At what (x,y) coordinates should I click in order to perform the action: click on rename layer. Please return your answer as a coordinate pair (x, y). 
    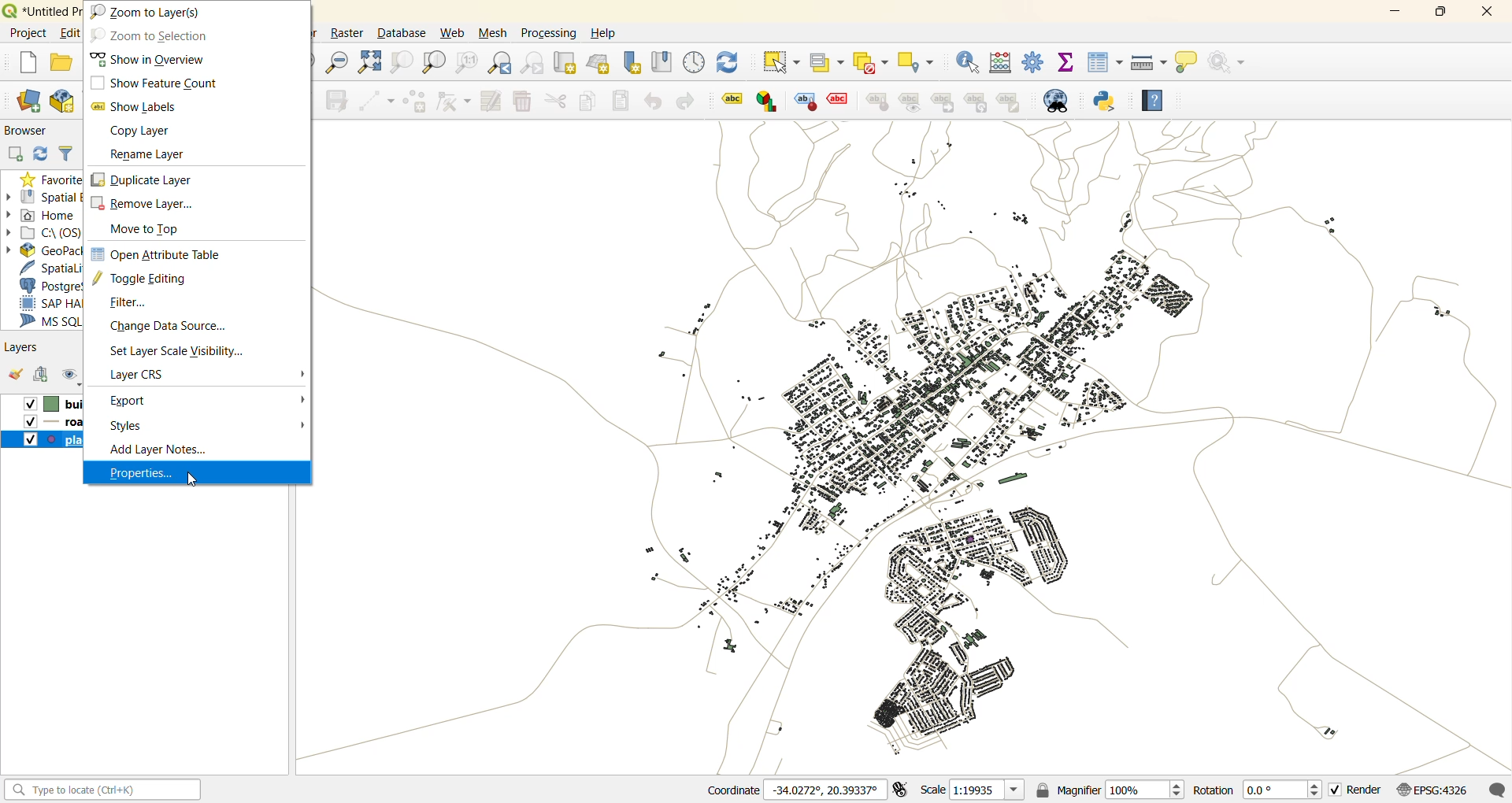
    Looking at the image, I should click on (148, 154).